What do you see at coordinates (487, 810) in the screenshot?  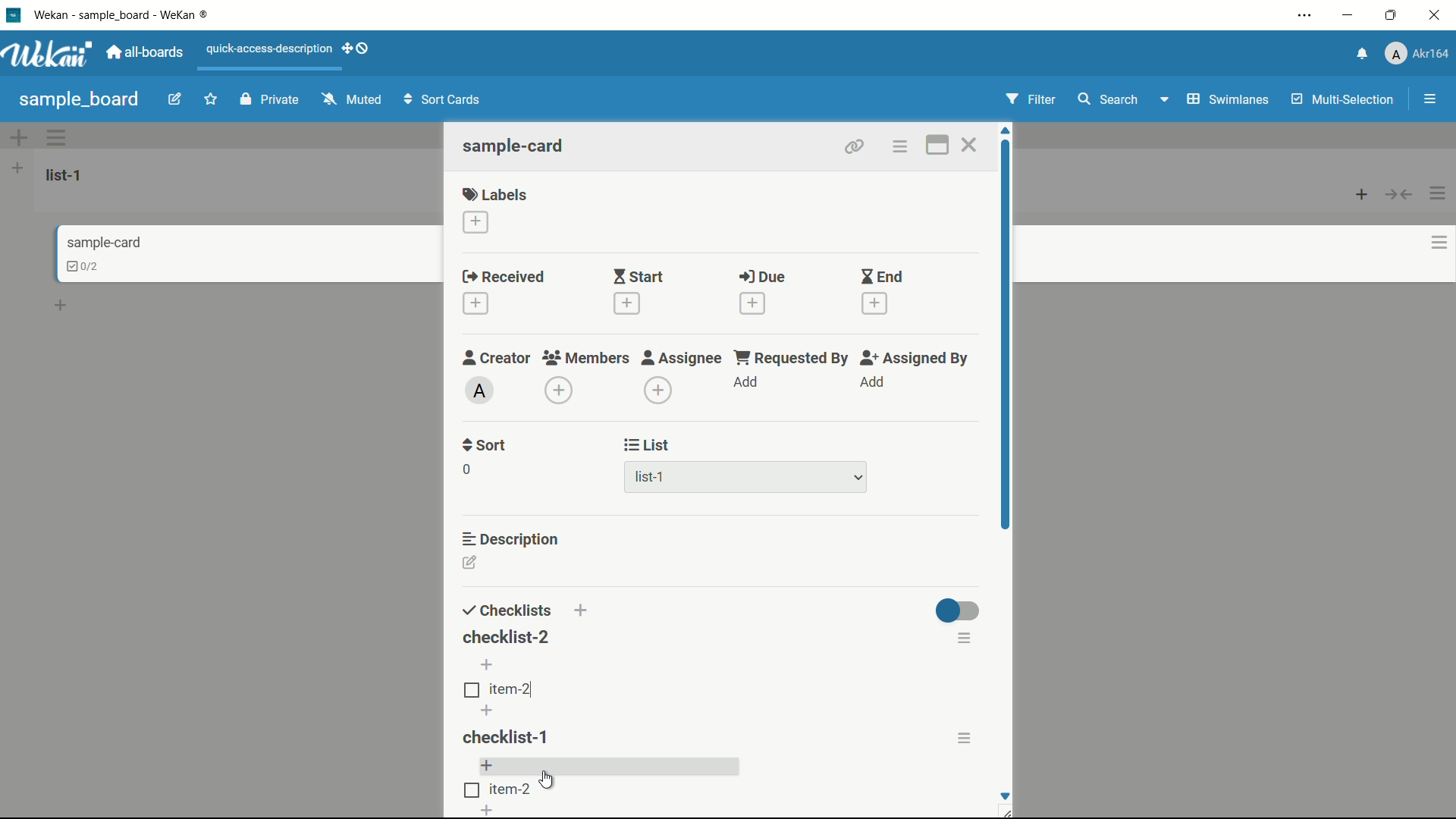 I see `add` at bounding box center [487, 810].